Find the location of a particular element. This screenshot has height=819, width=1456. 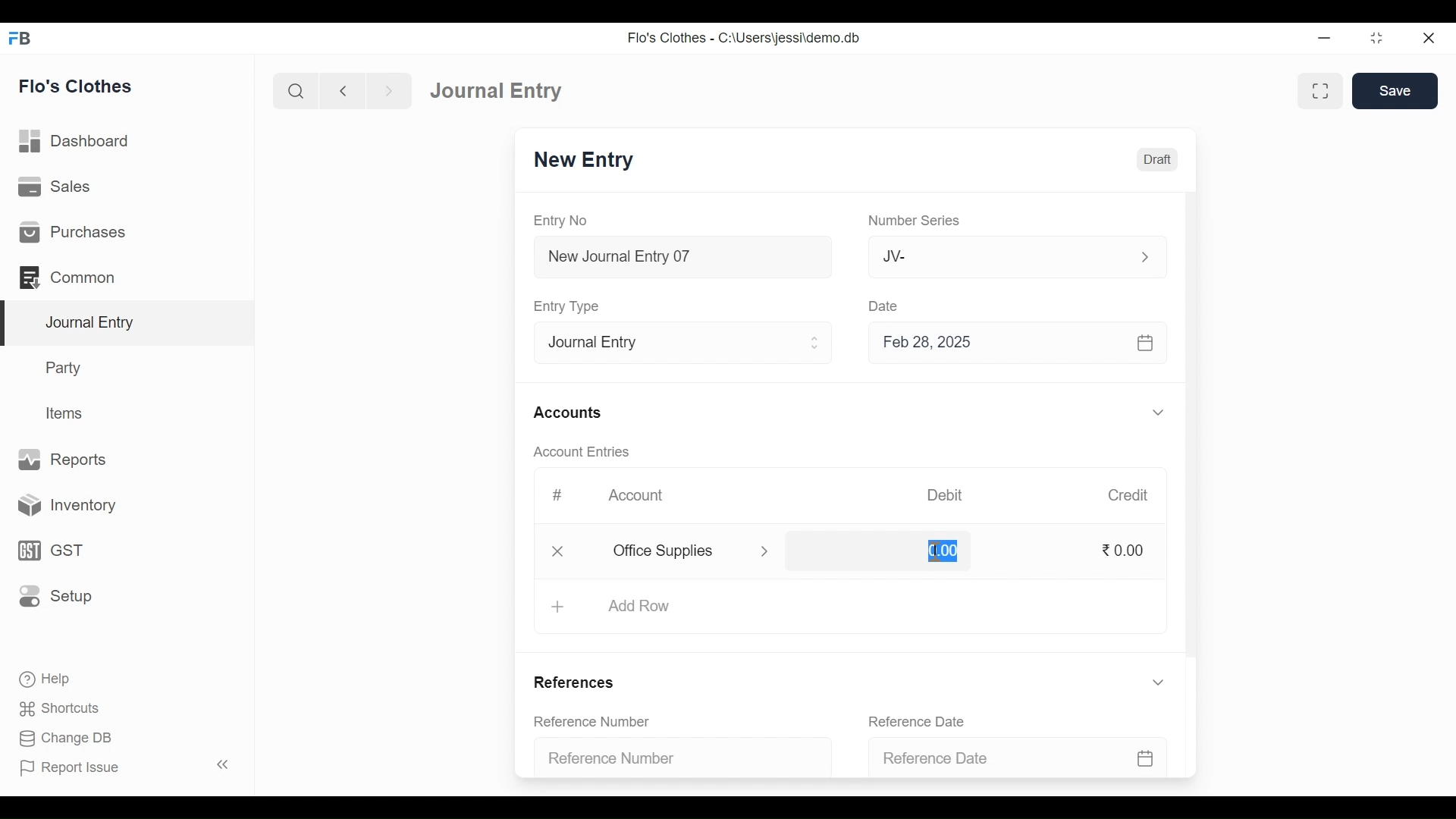

Accounts is located at coordinates (567, 413).